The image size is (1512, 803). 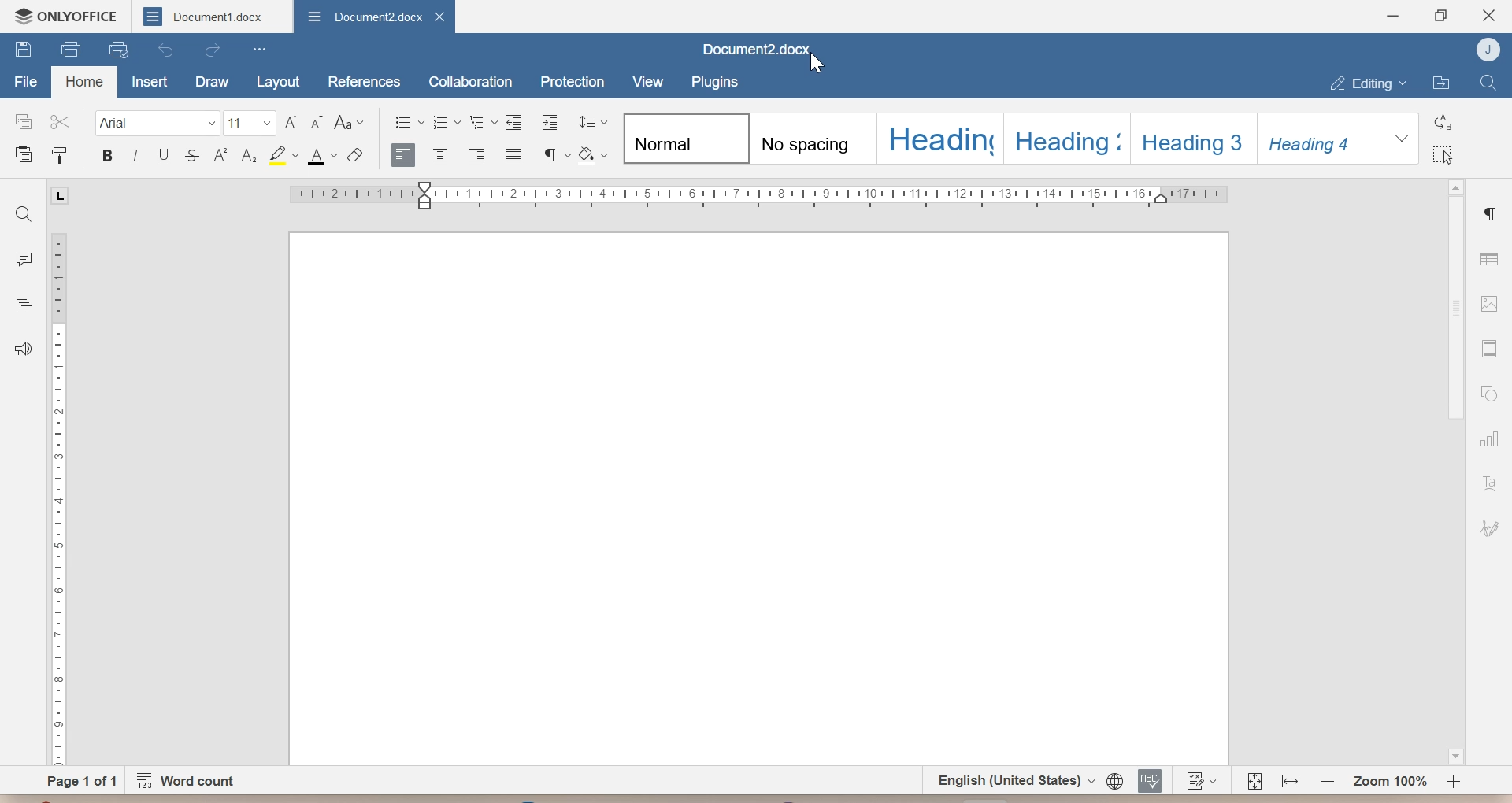 I want to click on  image, so click(x=1489, y=303).